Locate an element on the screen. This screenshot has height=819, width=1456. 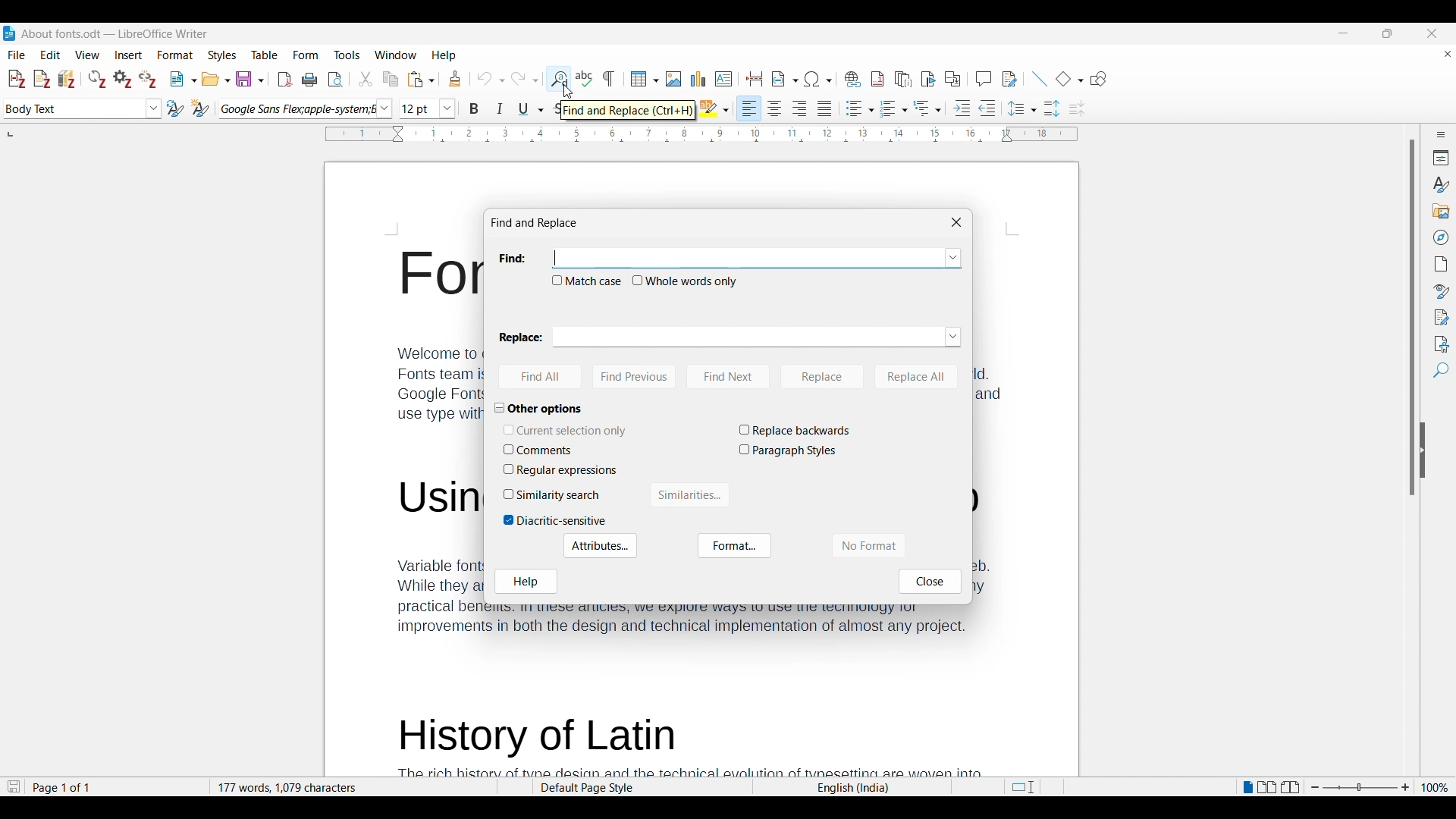
Insert menu is located at coordinates (129, 55).